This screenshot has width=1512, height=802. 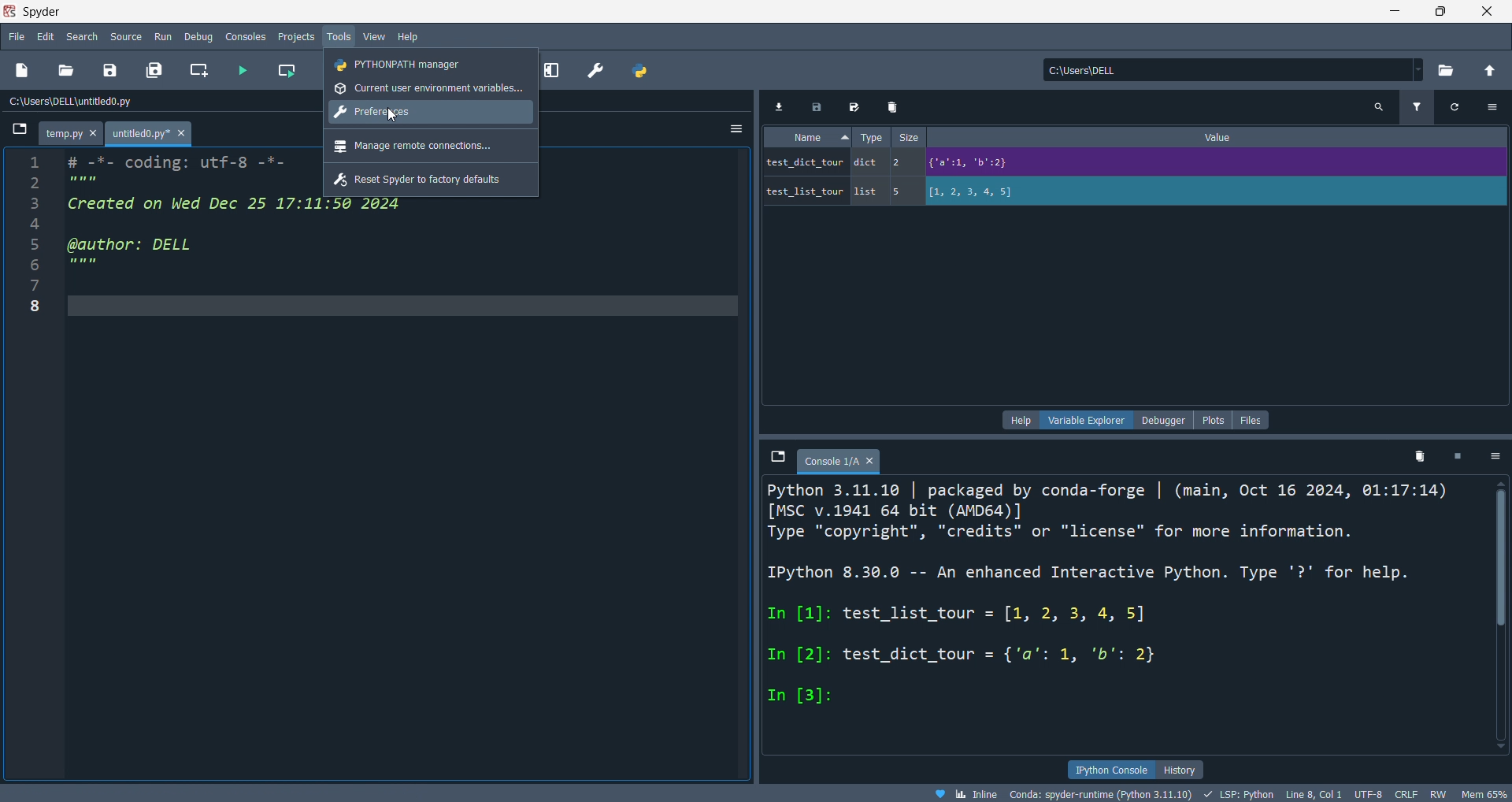 What do you see at coordinates (1442, 793) in the screenshot?
I see `RW` at bounding box center [1442, 793].